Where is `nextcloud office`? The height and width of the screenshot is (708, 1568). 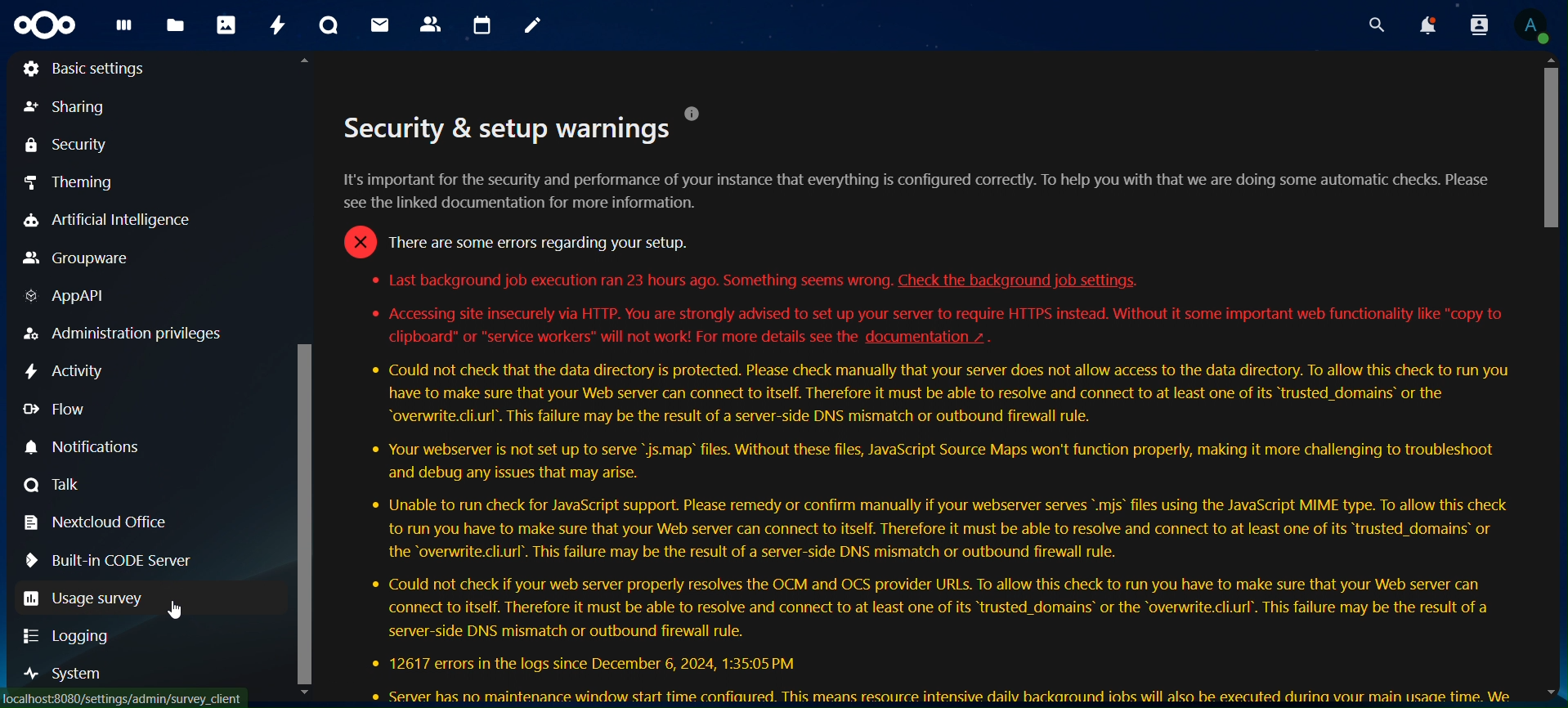
nextcloud office is located at coordinates (96, 524).